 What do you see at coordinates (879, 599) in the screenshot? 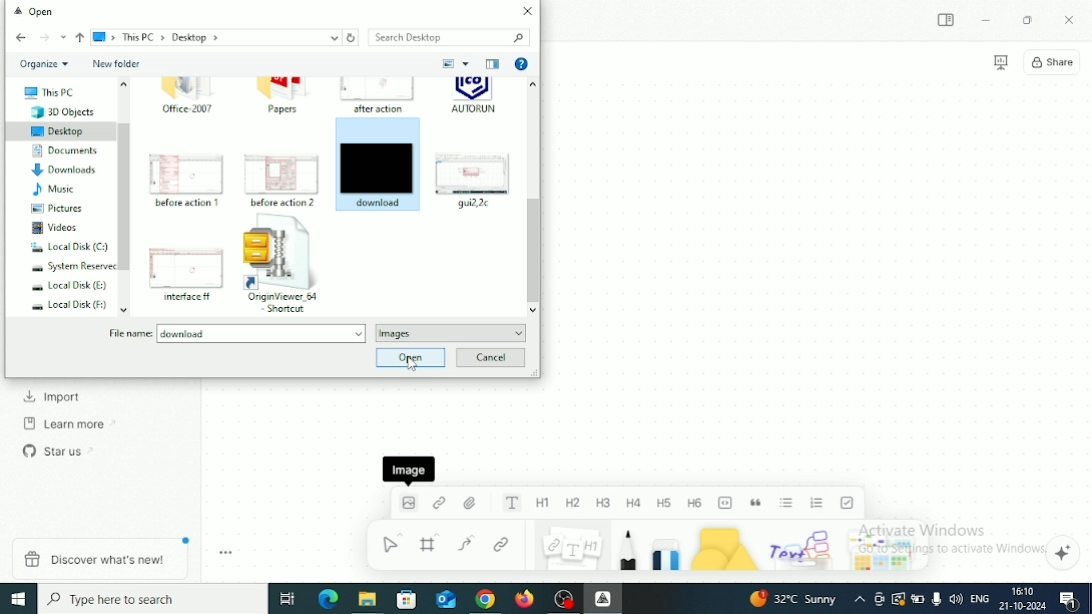
I see `Meet Now` at bounding box center [879, 599].